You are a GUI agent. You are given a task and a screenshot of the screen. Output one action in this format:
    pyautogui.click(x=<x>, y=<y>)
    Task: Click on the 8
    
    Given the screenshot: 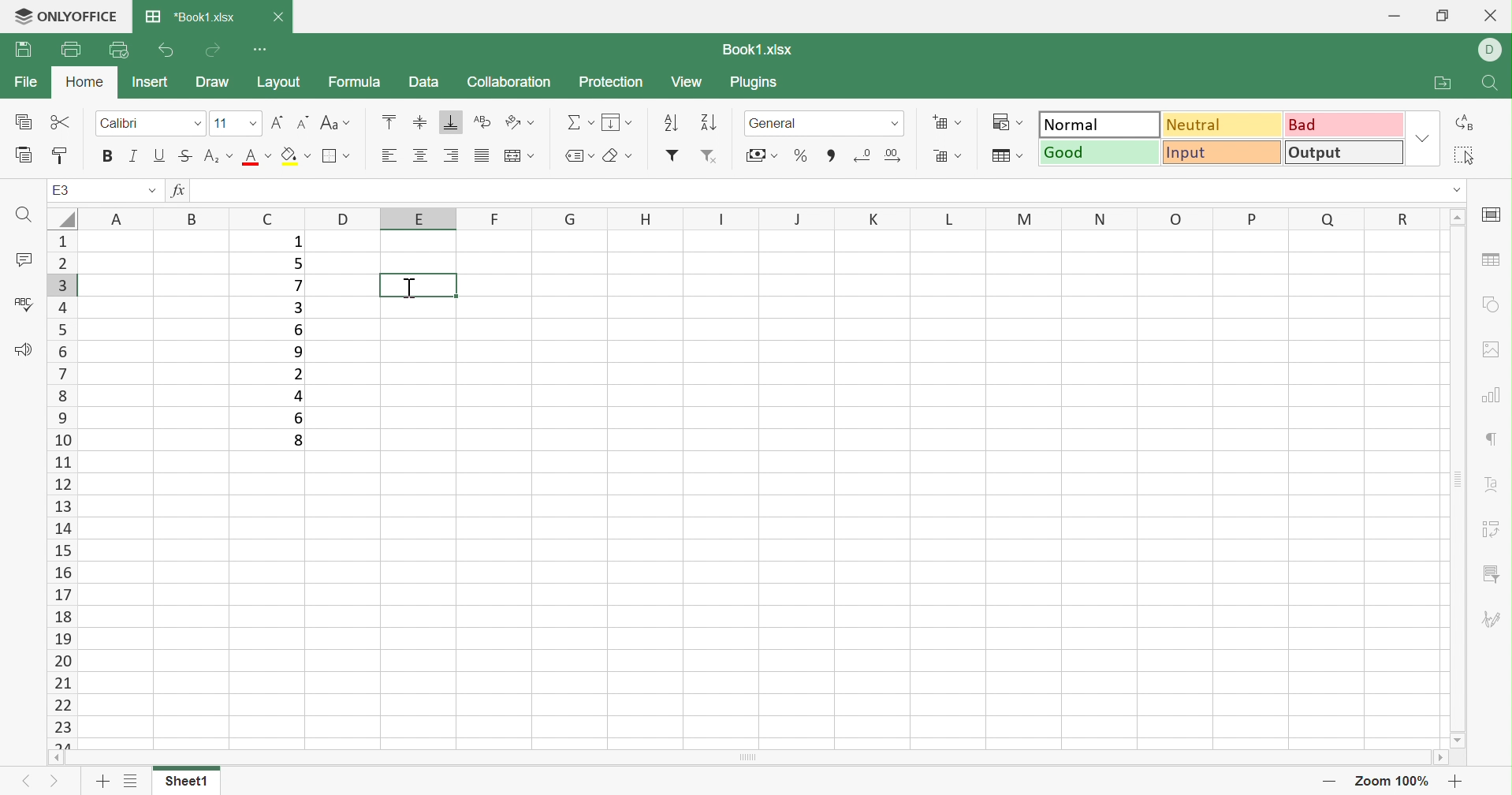 What is the action you would take?
    pyautogui.click(x=296, y=441)
    